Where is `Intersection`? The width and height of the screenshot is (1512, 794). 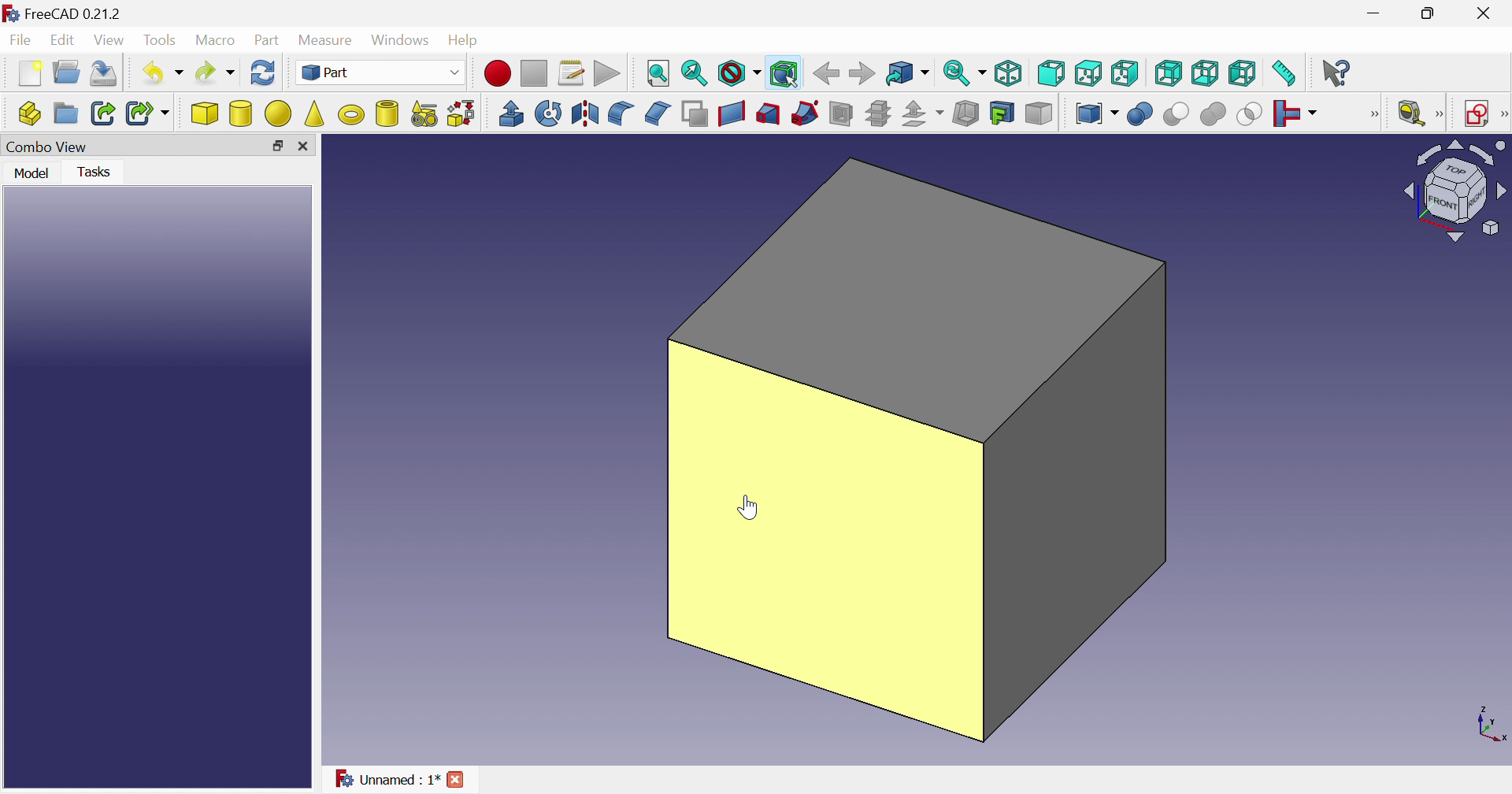 Intersection is located at coordinates (1251, 113).